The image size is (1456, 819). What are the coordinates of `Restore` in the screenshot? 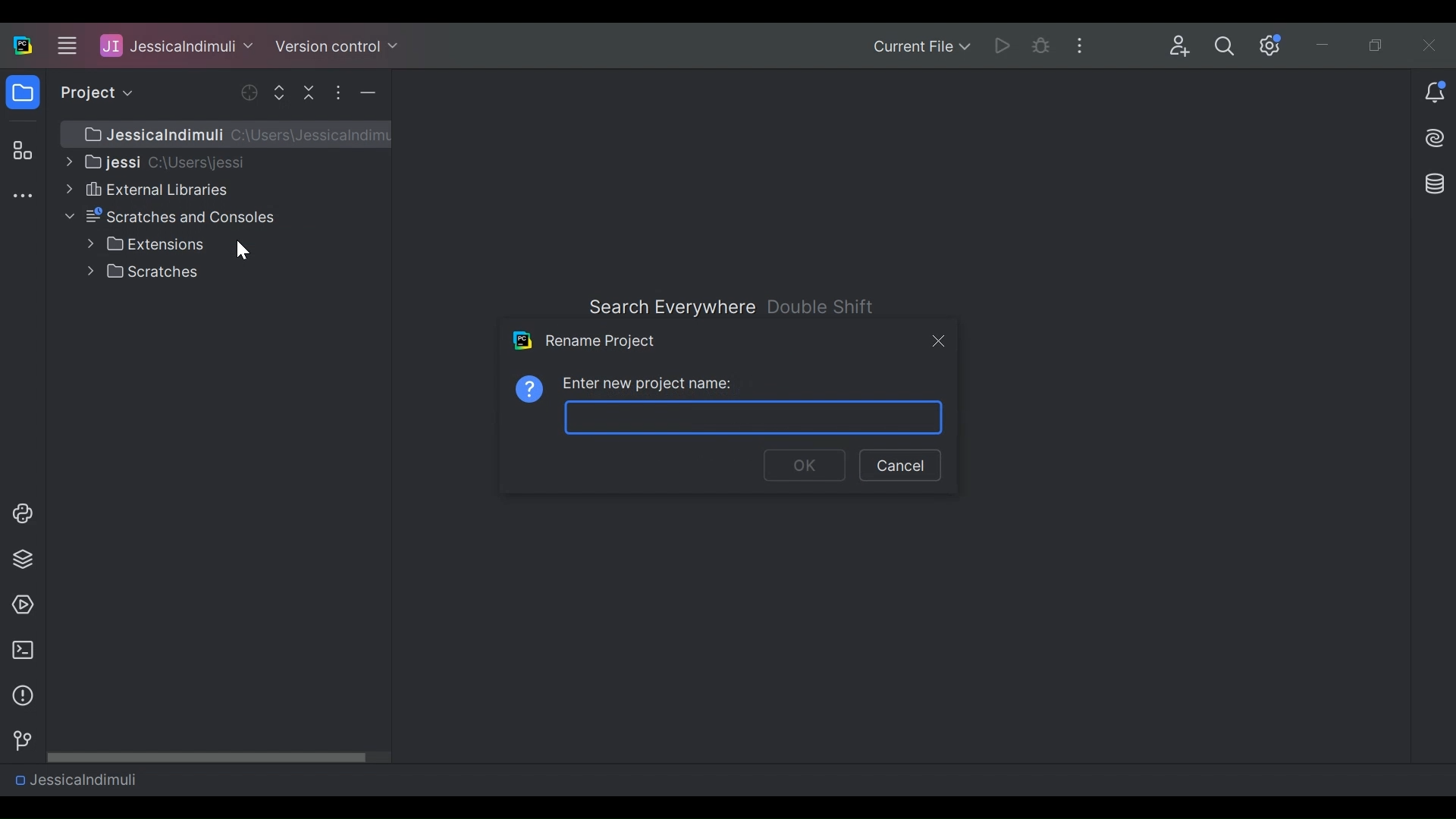 It's located at (1379, 46).